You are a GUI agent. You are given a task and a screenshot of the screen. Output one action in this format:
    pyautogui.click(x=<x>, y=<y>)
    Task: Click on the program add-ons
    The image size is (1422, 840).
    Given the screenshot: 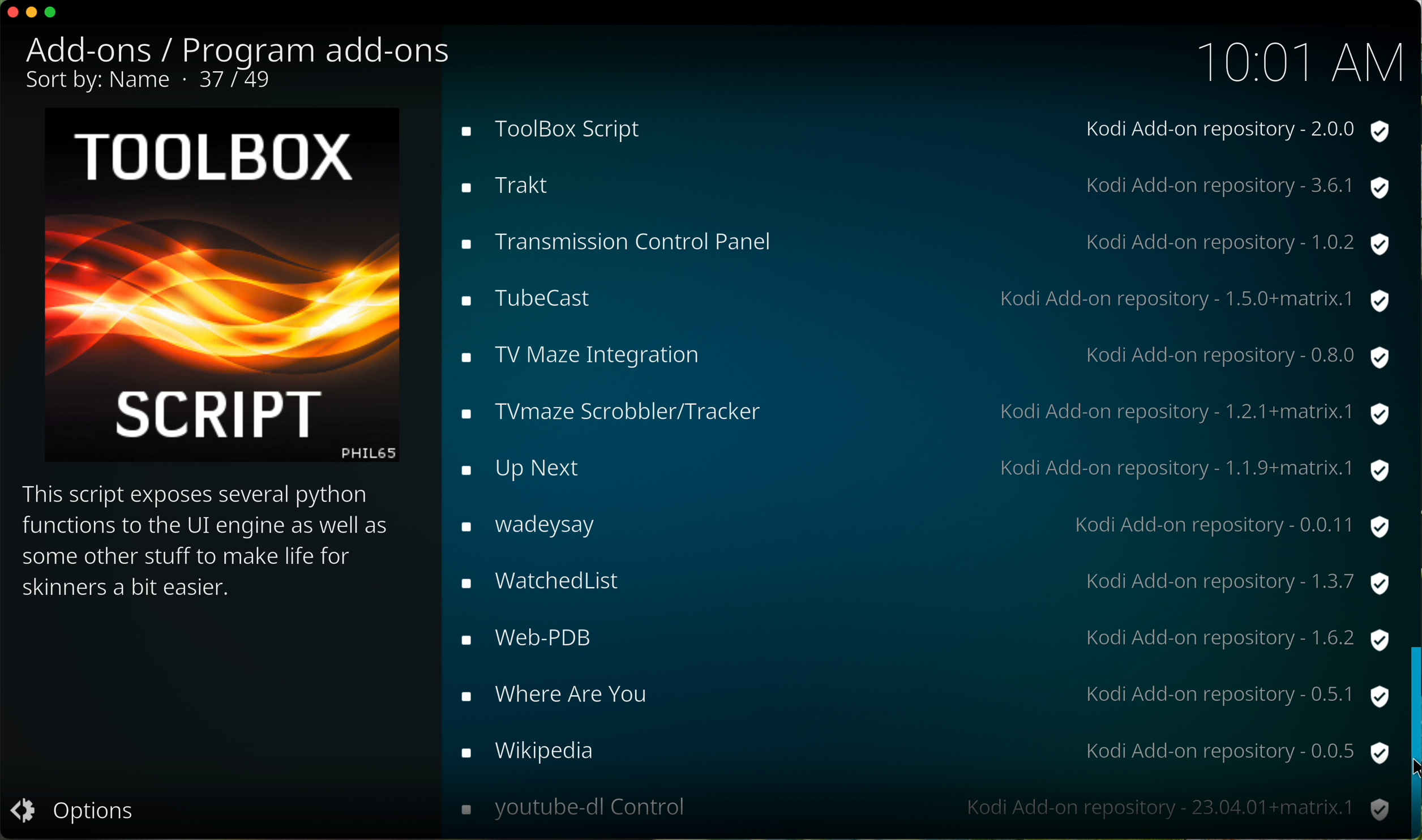 What is the action you would take?
    pyautogui.click(x=319, y=46)
    